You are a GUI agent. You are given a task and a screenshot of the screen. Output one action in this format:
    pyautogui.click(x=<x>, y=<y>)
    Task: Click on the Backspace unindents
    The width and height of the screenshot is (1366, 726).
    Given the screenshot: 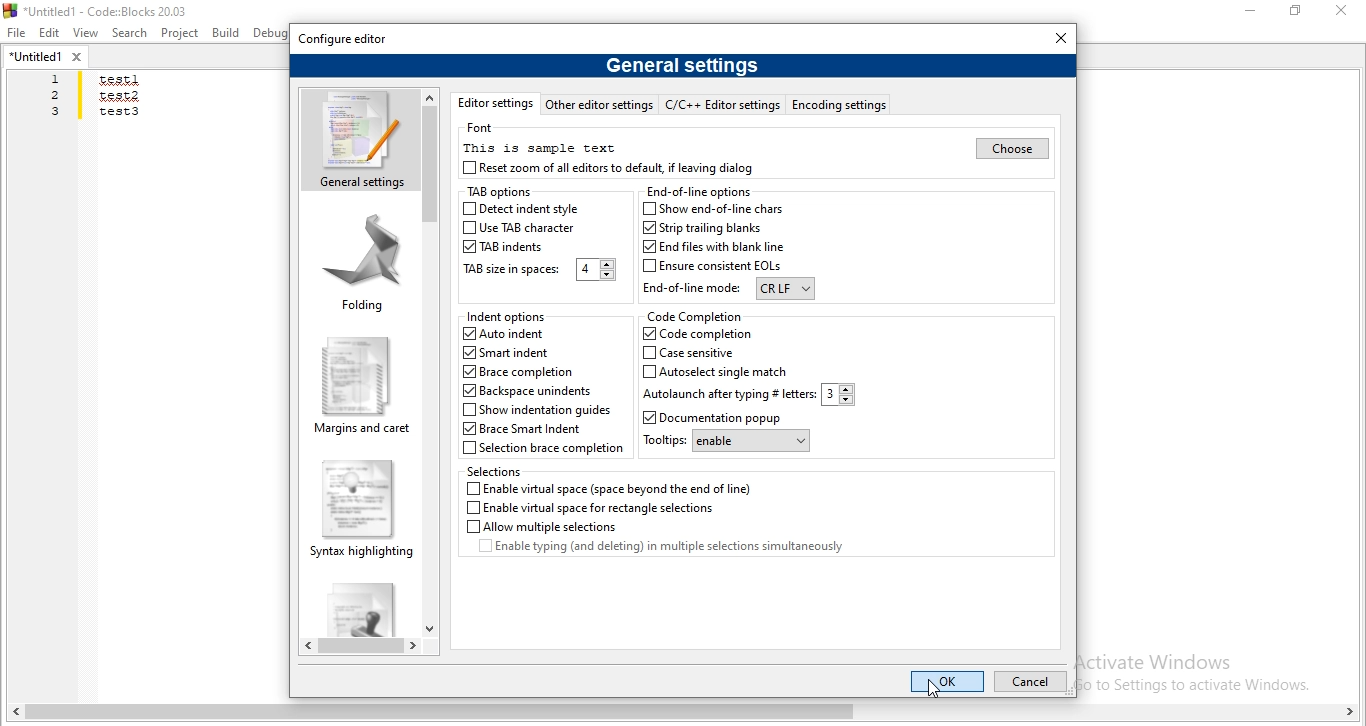 What is the action you would take?
    pyautogui.click(x=527, y=392)
    